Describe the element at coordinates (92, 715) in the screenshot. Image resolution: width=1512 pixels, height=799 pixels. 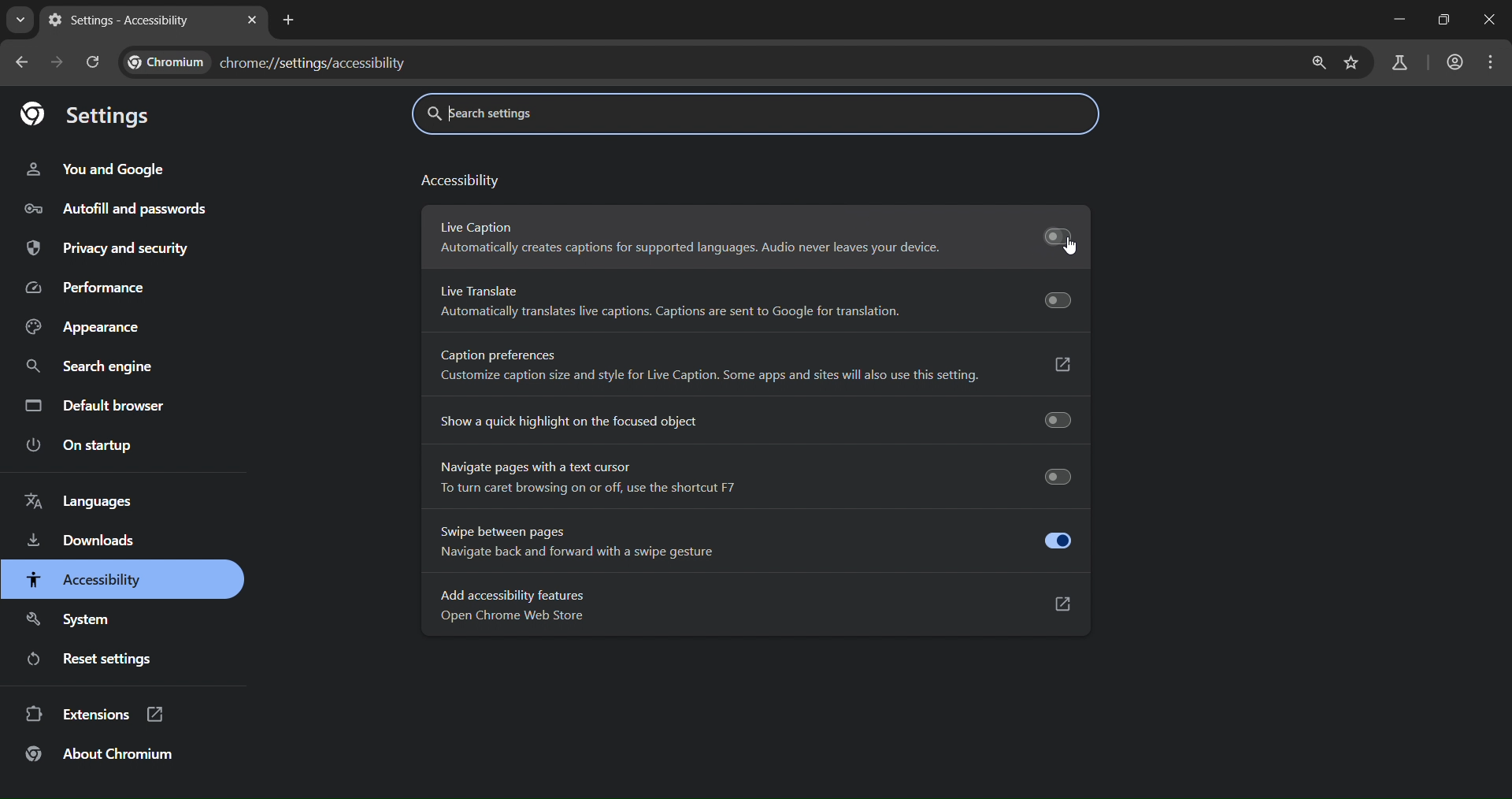
I see `extensions` at that location.